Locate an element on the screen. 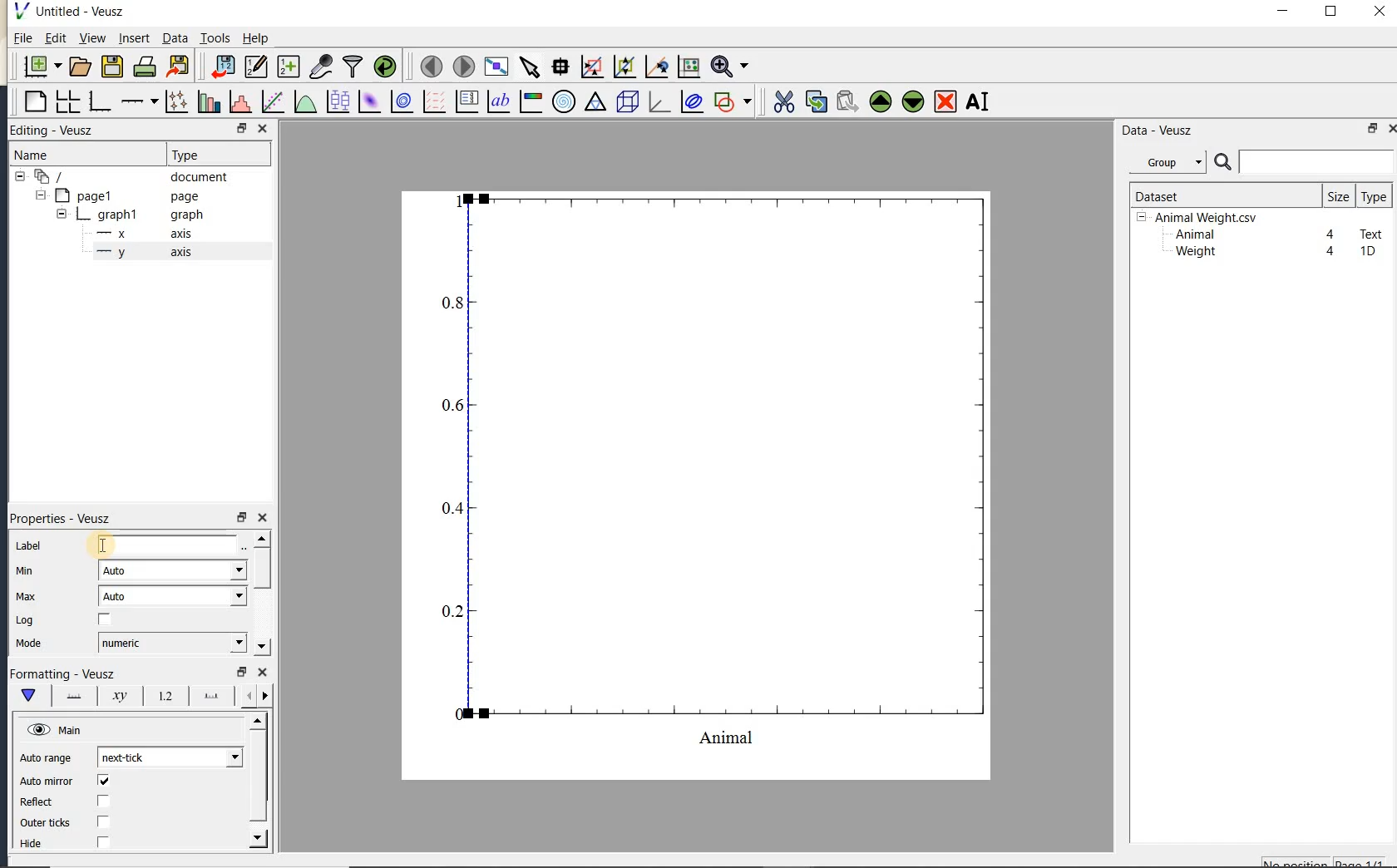 The width and height of the screenshot is (1397, 868). view is located at coordinates (91, 40).